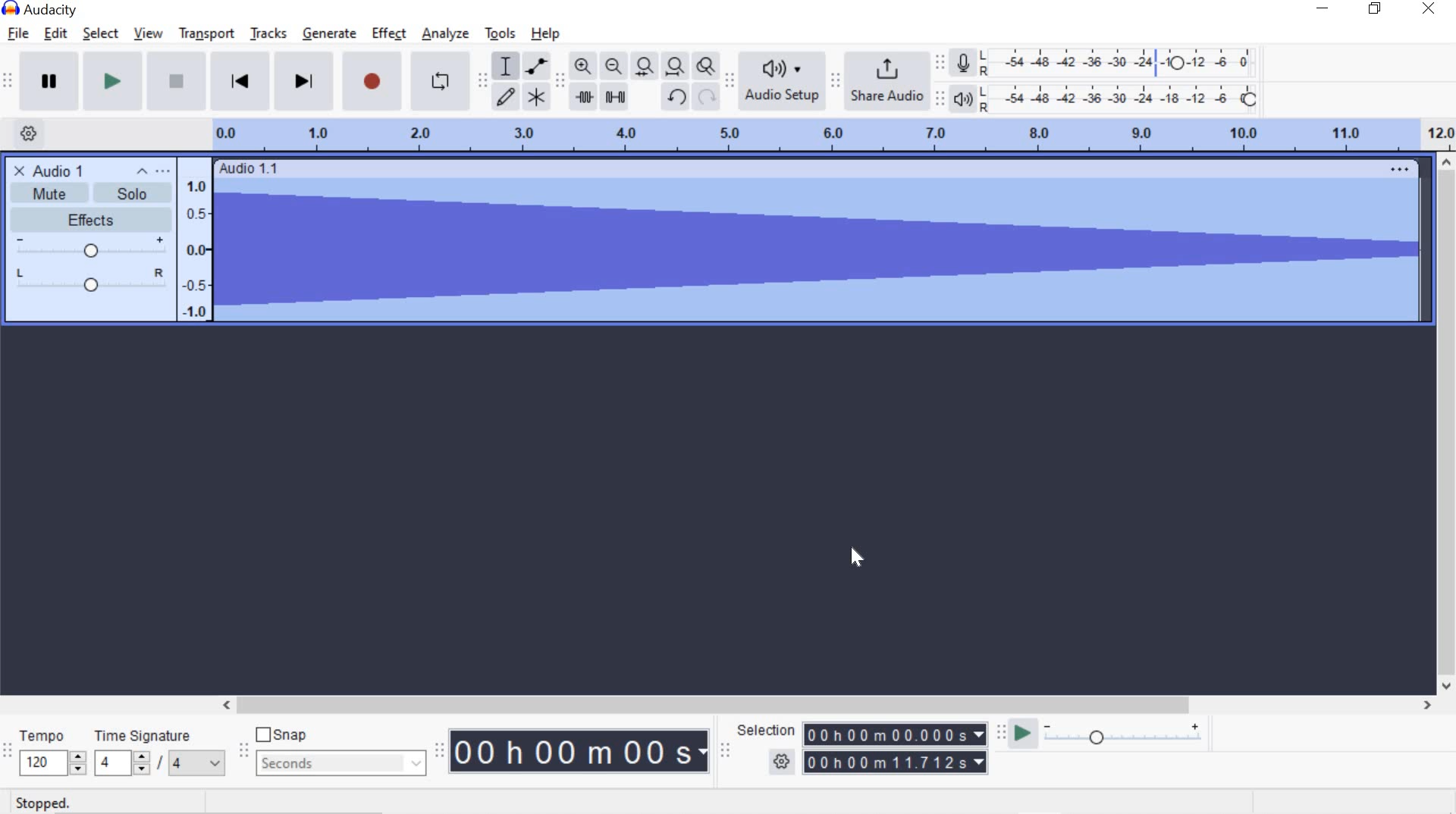 The image size is (1456, 814). Describe the element at coordinates (558, 86) in the screenshot. I see `Edit toolbar` at that location.